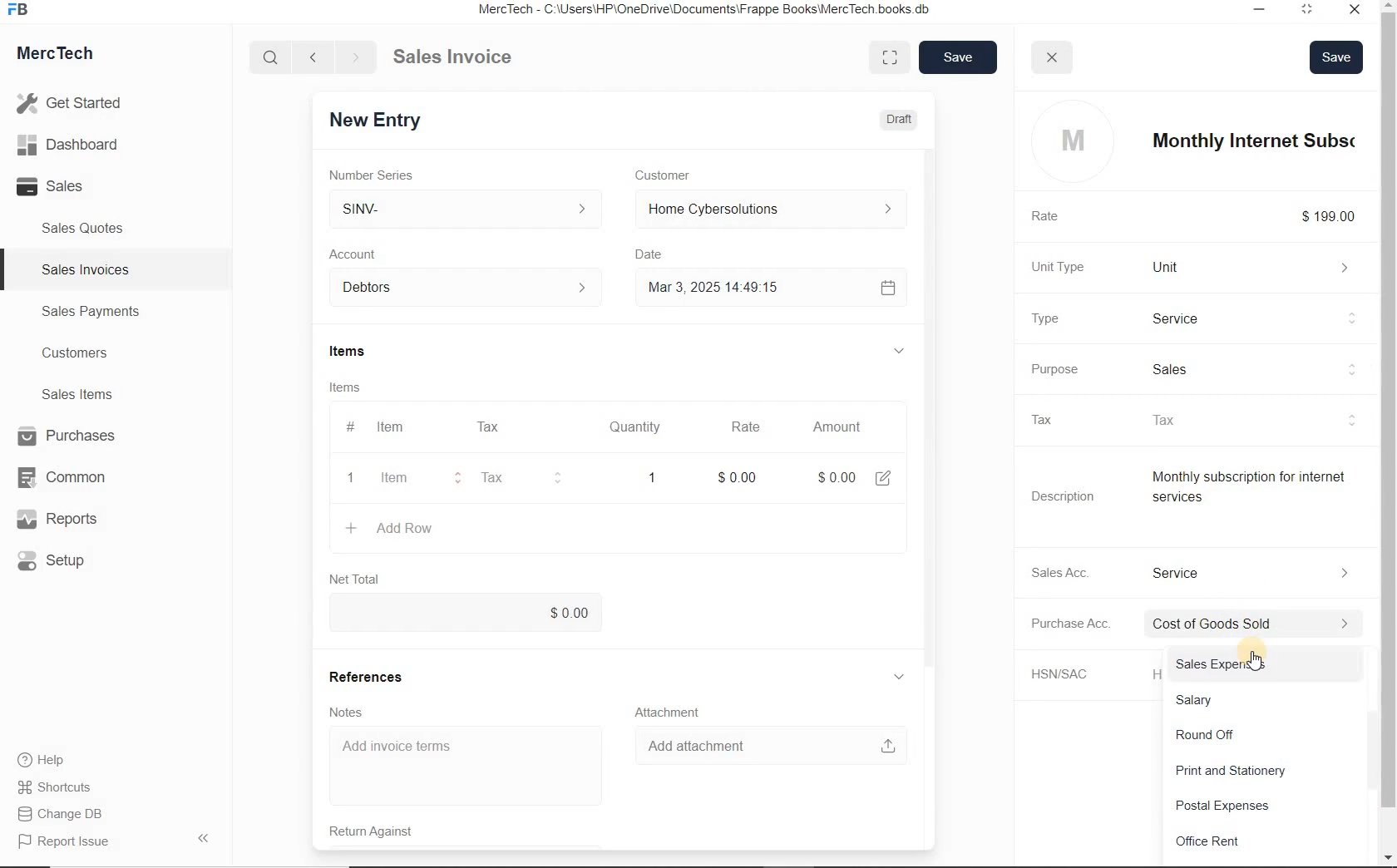  I want to click on Date, so click(661, 254).